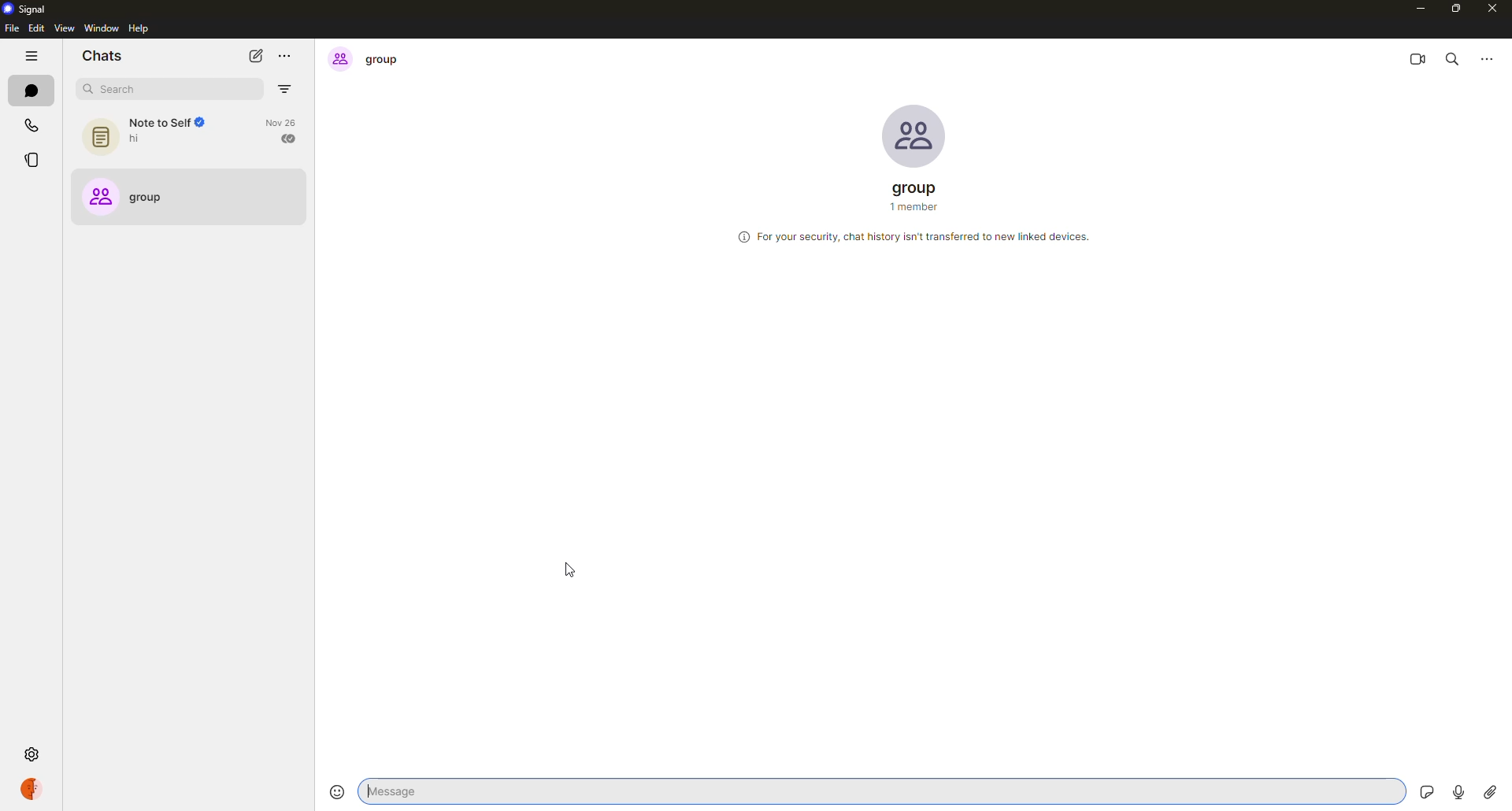 Image resolution: width=1512 pixels, height=811 pixels. What do you see at coordinates (915, 135) in the screenshot?
I see `profile pic` at bounding box center [915, 135].